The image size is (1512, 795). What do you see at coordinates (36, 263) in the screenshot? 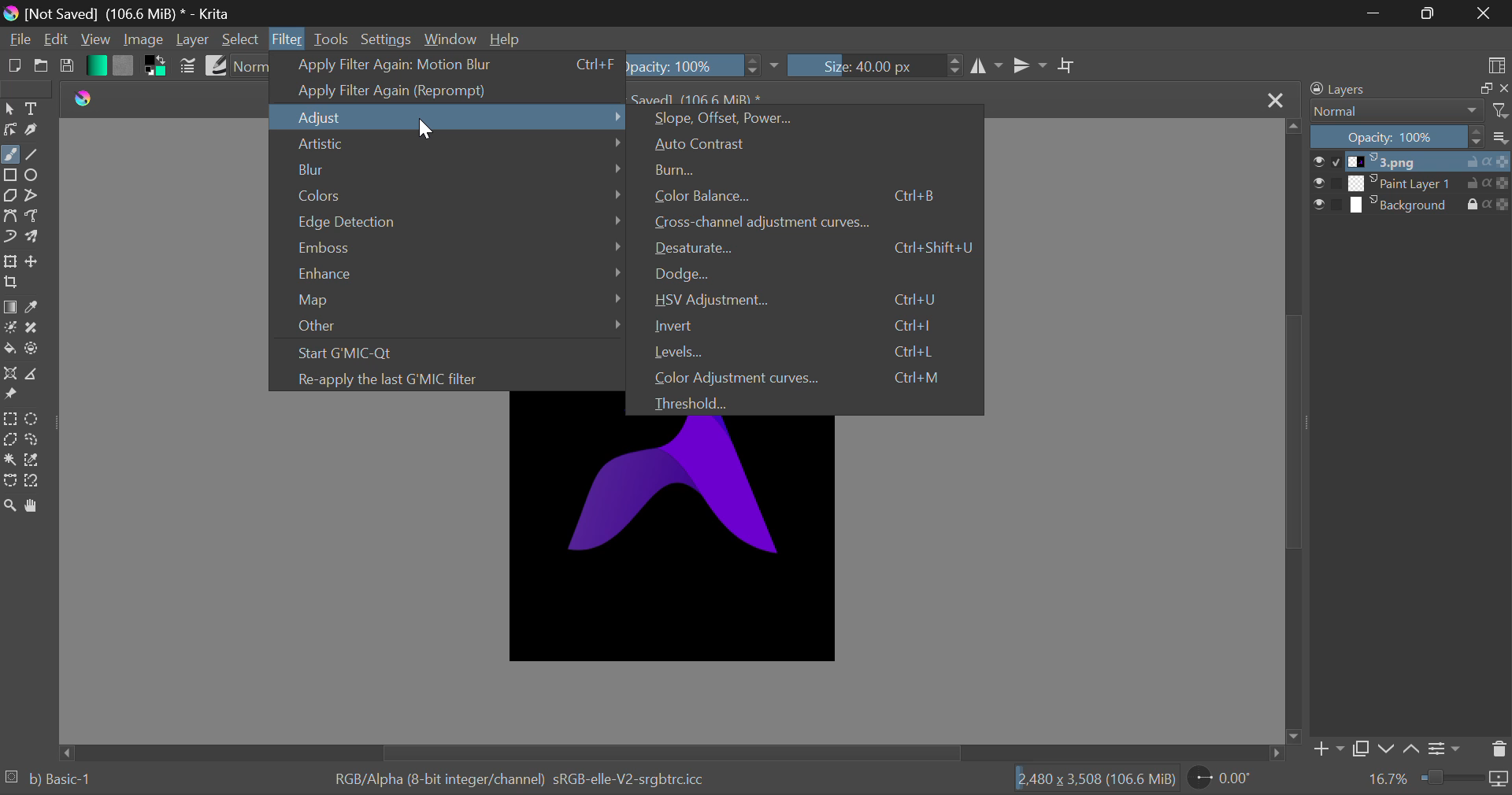
I see `Move Layer` at bounding box center [36, 263].